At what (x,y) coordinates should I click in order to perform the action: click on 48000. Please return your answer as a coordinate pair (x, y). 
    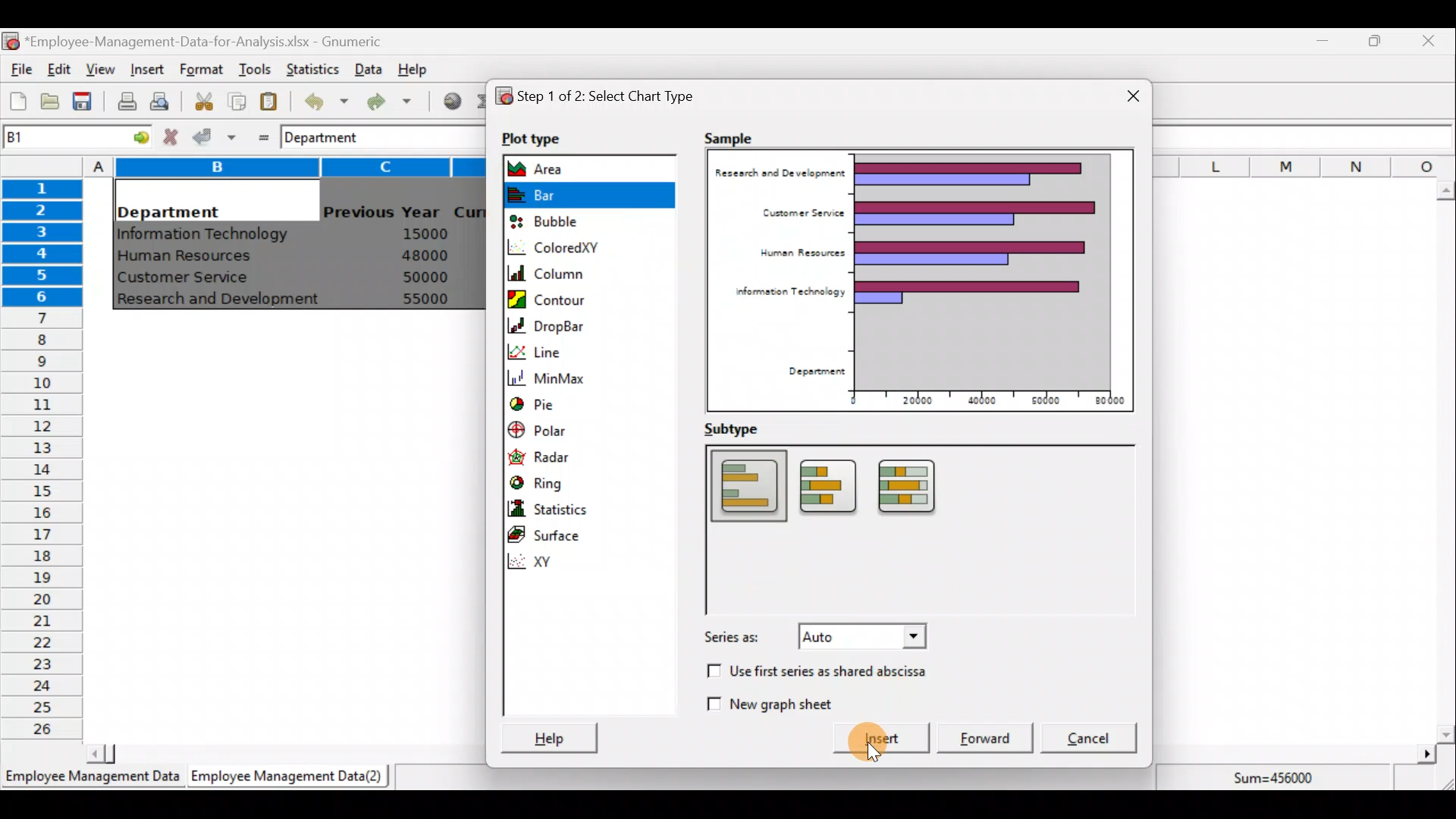
    Looking at the image, I should click on (424, 256).